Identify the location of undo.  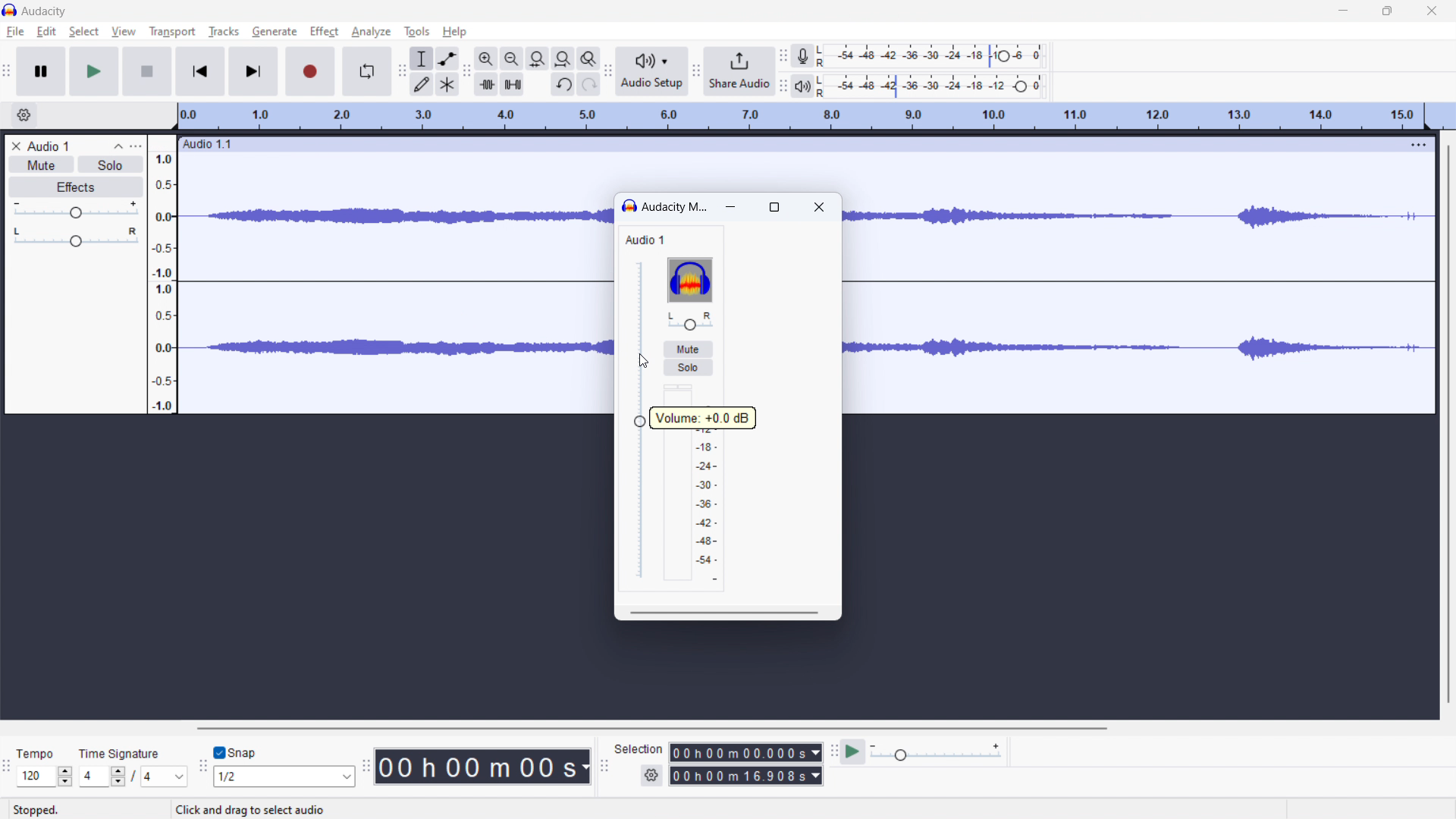
(563, 85).